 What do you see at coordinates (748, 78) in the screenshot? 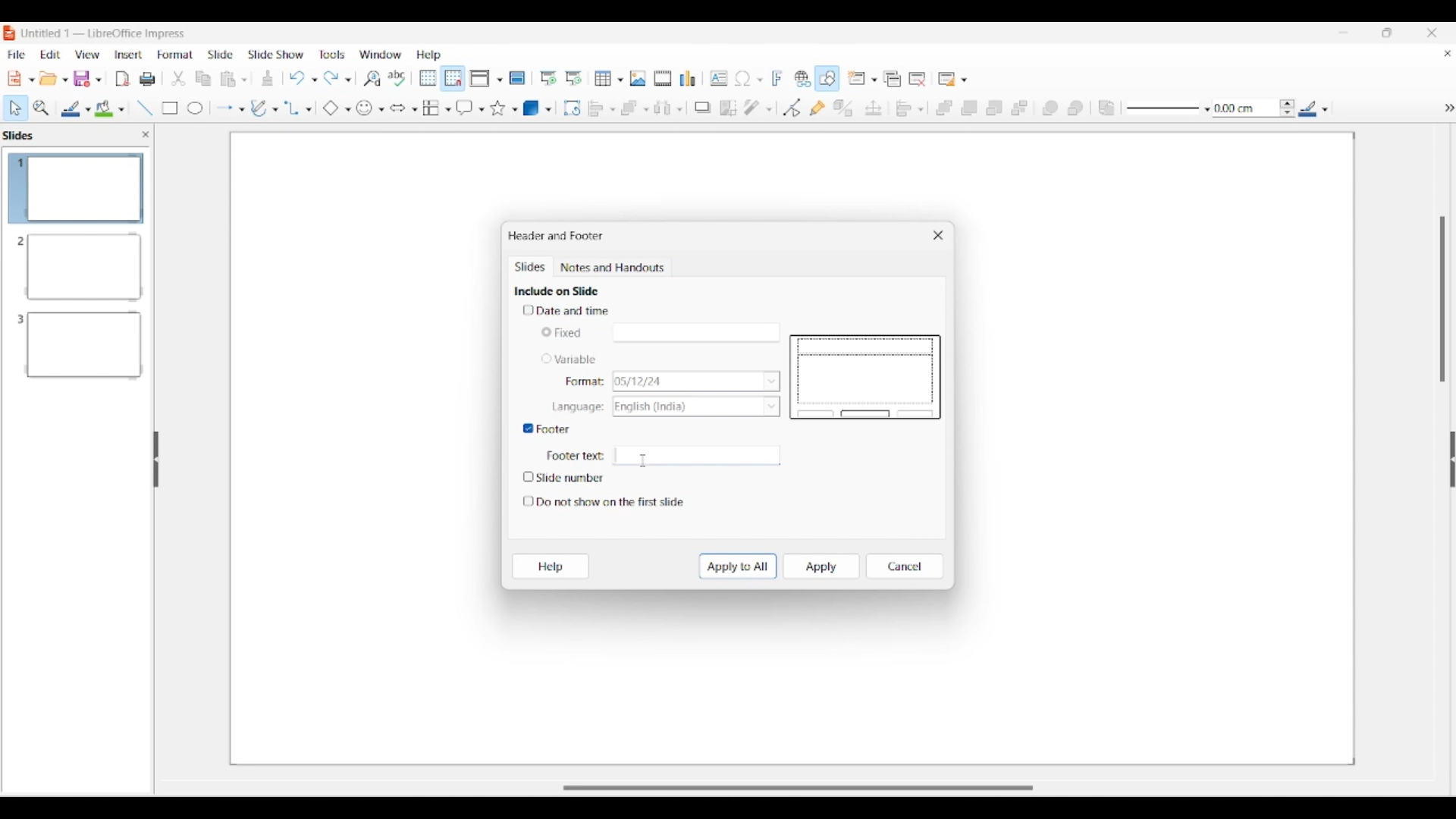
I see `Insert special character options` at bounding box center [748, 78].